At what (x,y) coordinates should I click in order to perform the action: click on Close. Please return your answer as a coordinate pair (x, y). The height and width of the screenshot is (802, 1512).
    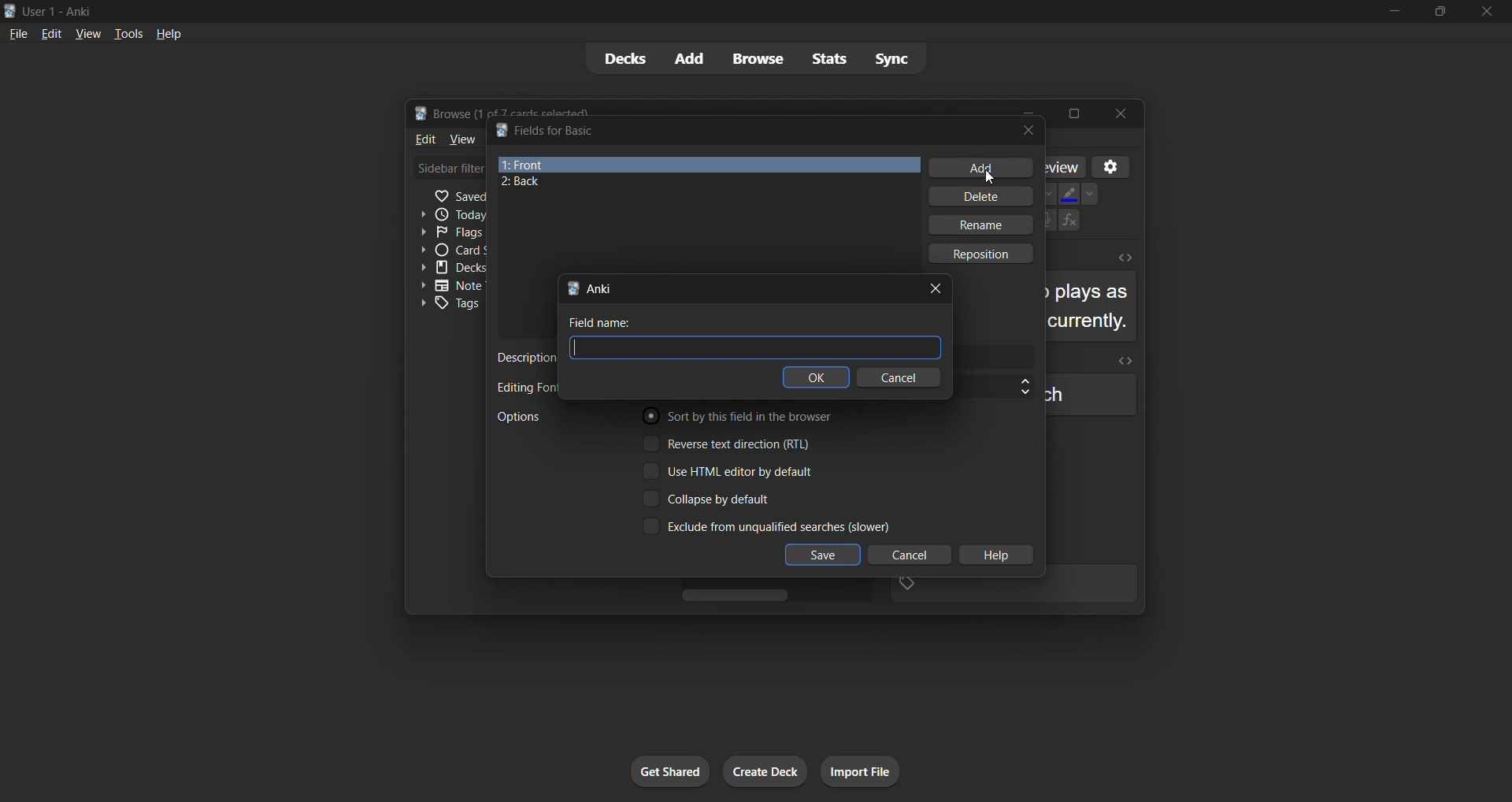
    Looking at the image, I should click on (1124, 114).